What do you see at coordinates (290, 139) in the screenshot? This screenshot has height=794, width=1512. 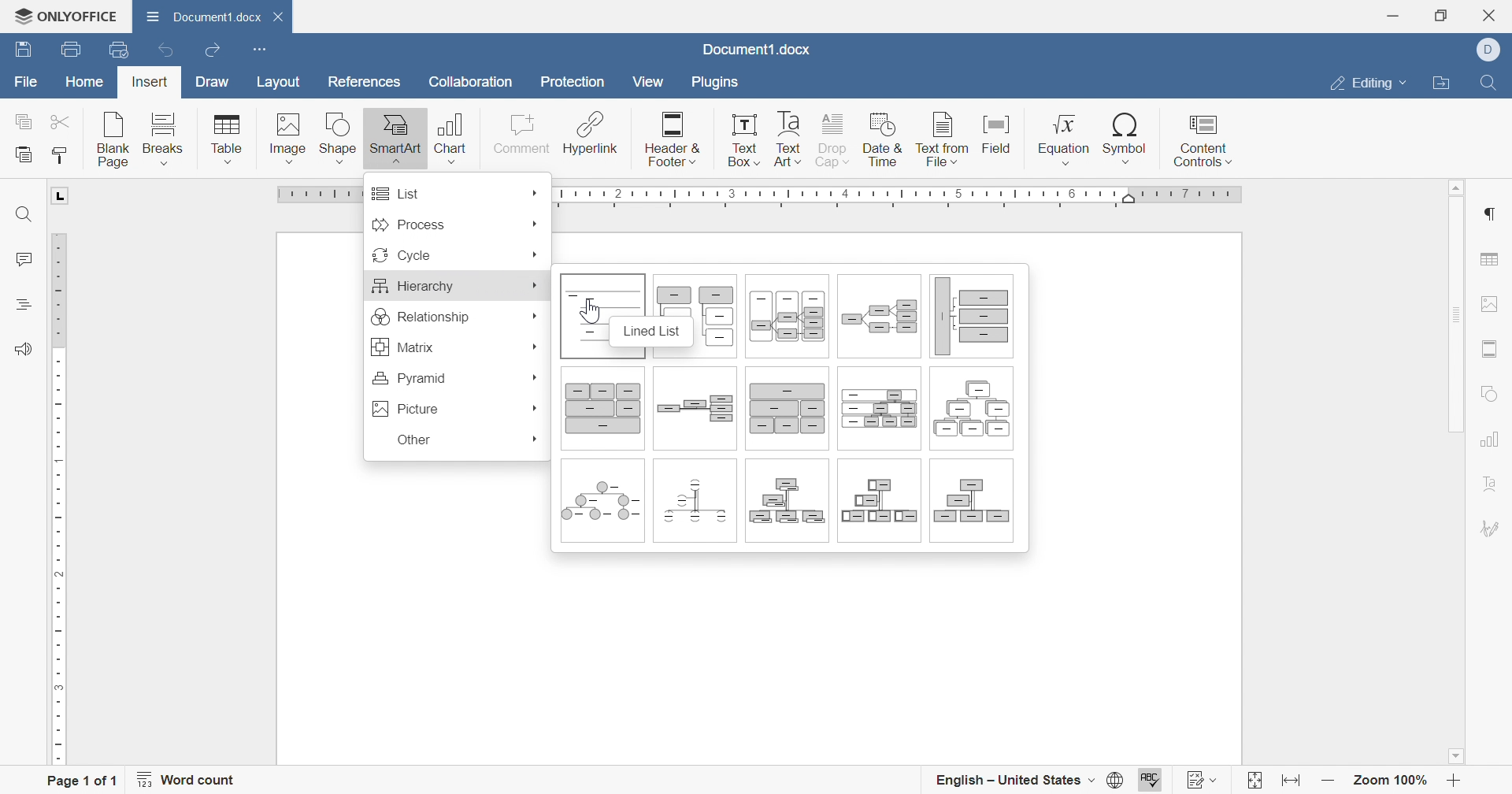 I see `Image` at bounding box center [290, 139].